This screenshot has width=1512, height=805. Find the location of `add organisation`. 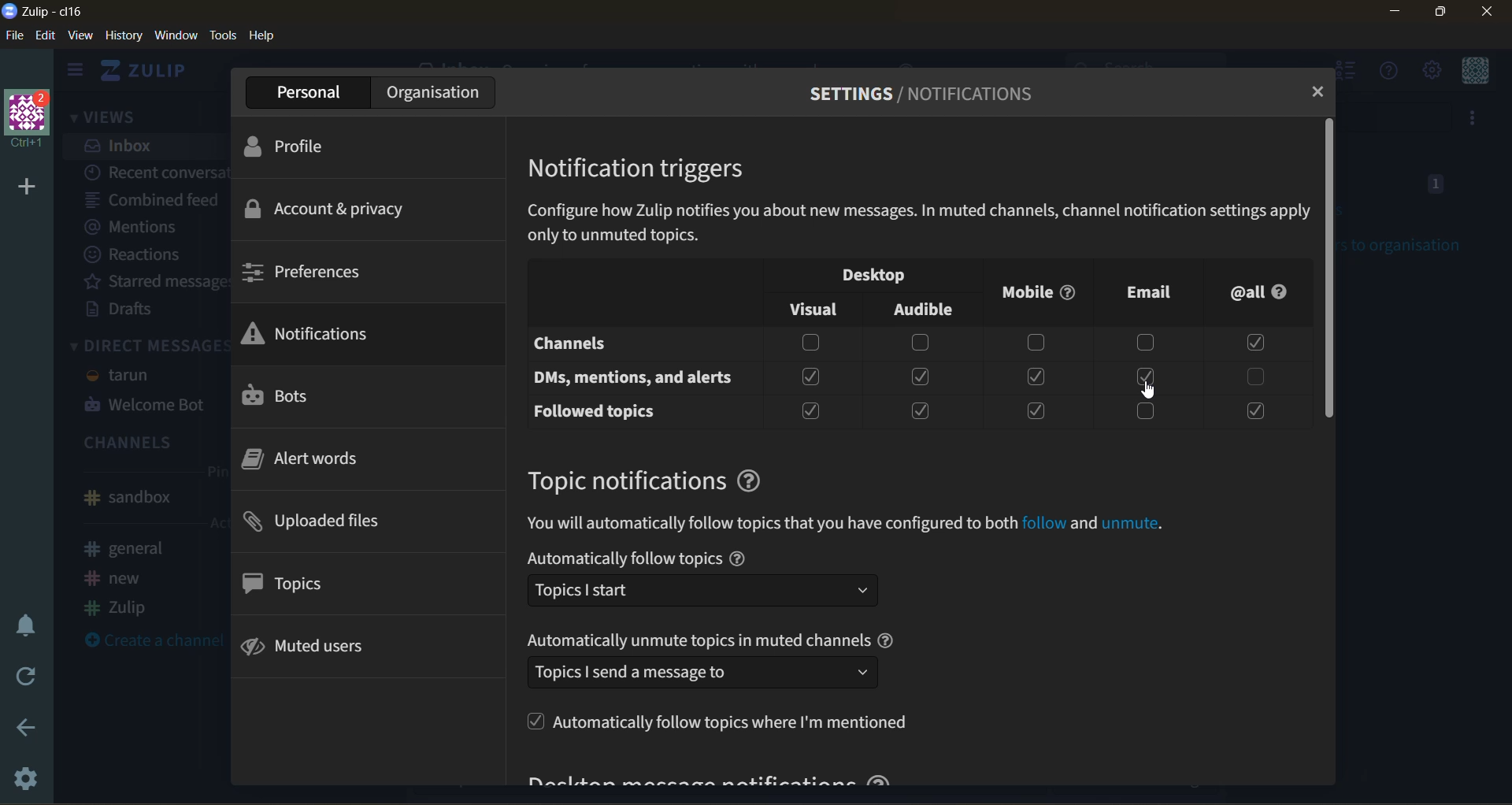

add organisation is located at coordinates (24, 187).